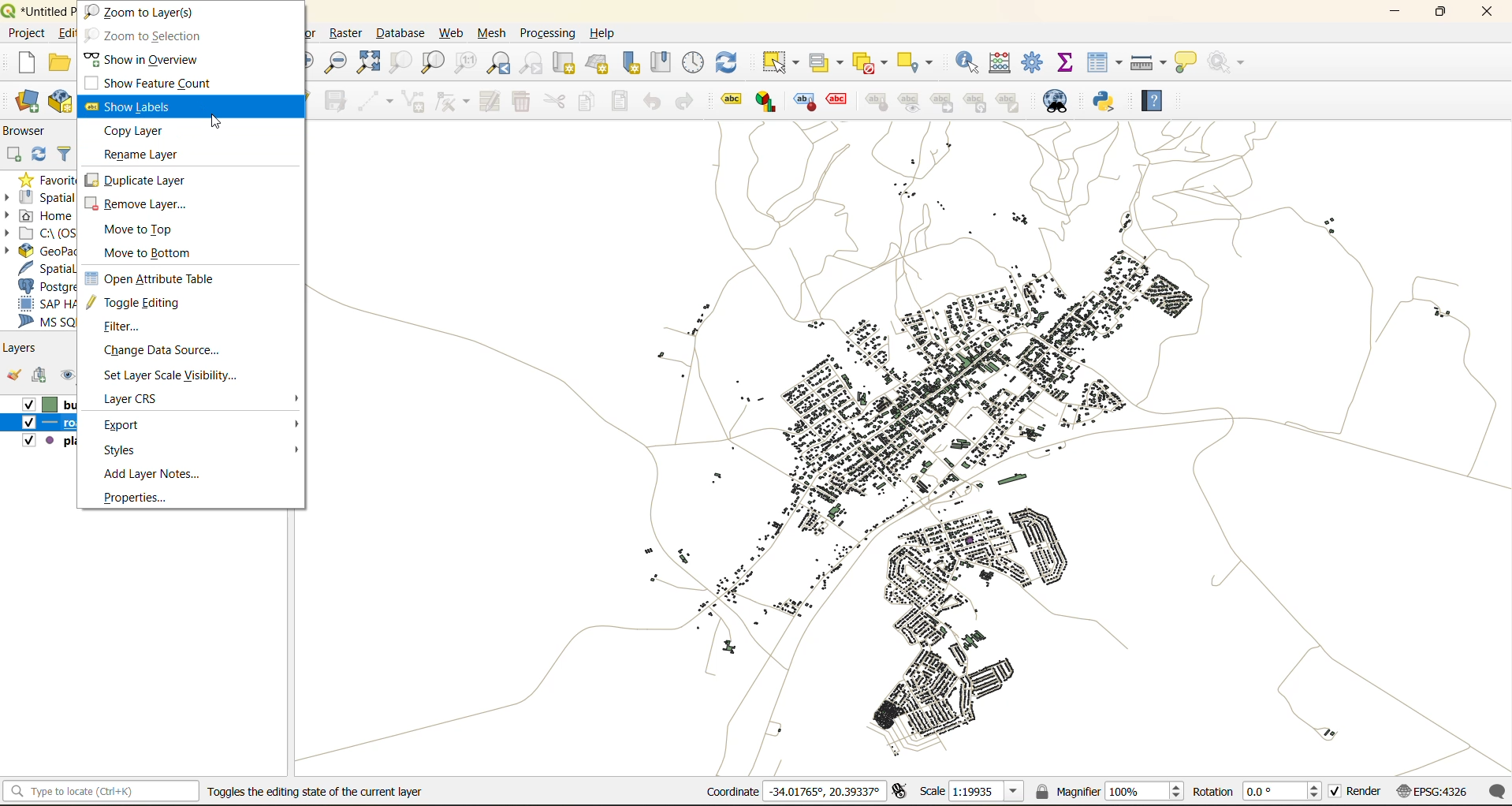 The width and height of the screenshot is (1512, 806). I want to click on rename layer, so click(144, 155).